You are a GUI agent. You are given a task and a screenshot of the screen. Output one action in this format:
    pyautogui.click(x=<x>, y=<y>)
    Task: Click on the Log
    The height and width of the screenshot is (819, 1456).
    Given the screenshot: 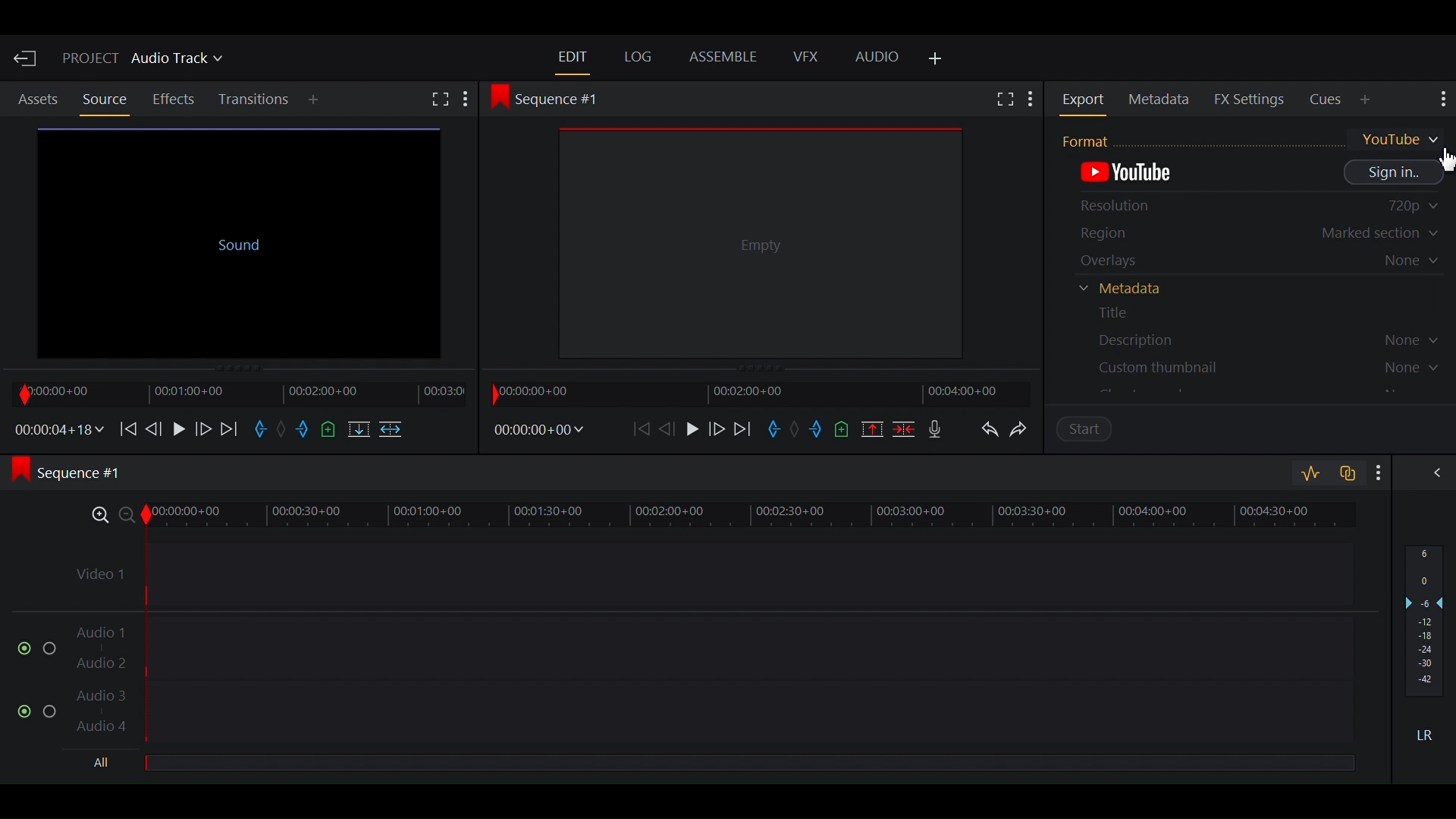 What is the action you would take?
    pyautogui.click(x=639, y=57)
    